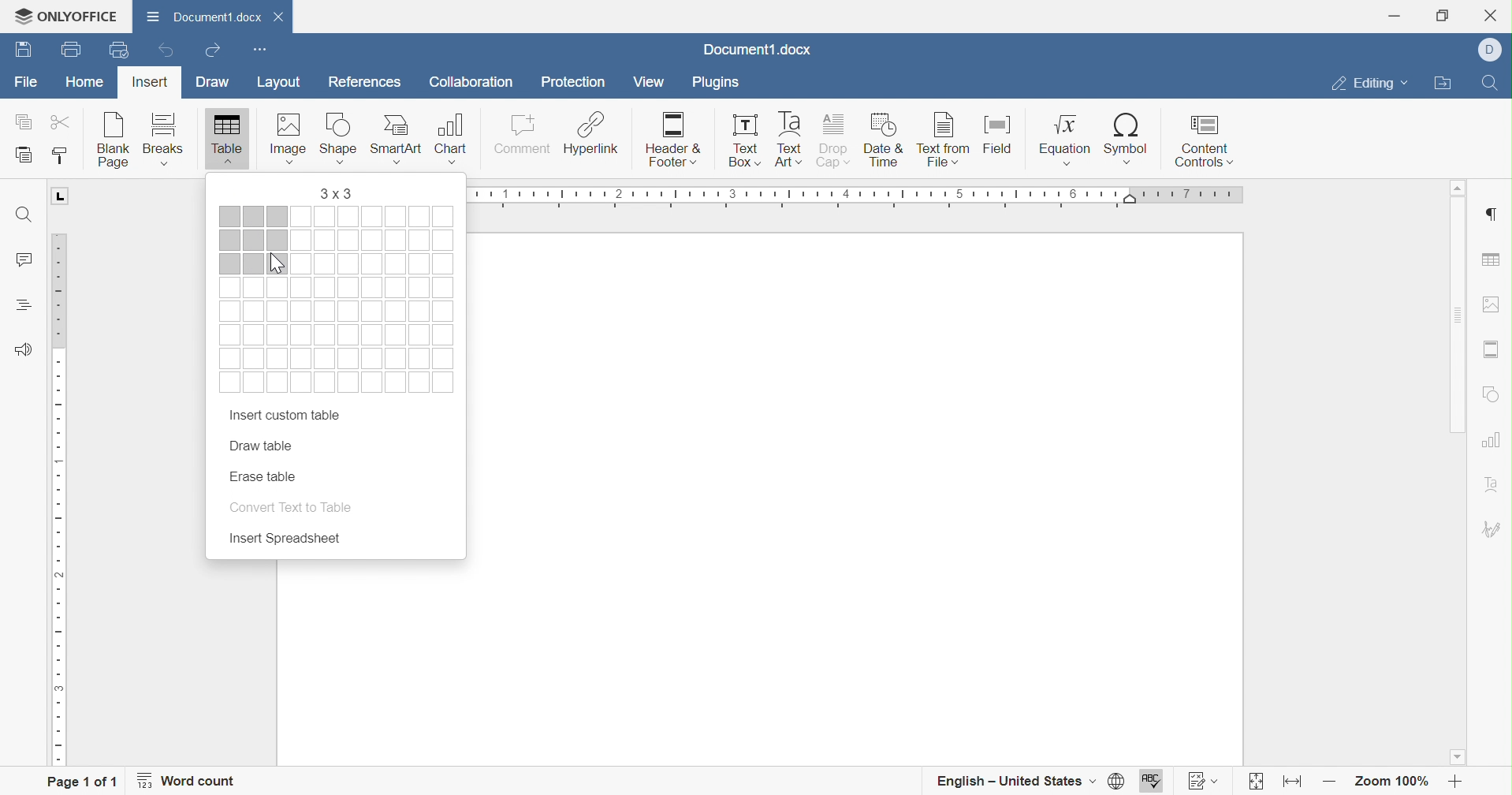  What do you see at coordinates (23, 48) in the screenshot?
I see `Save` at bounding box center [23, 48].